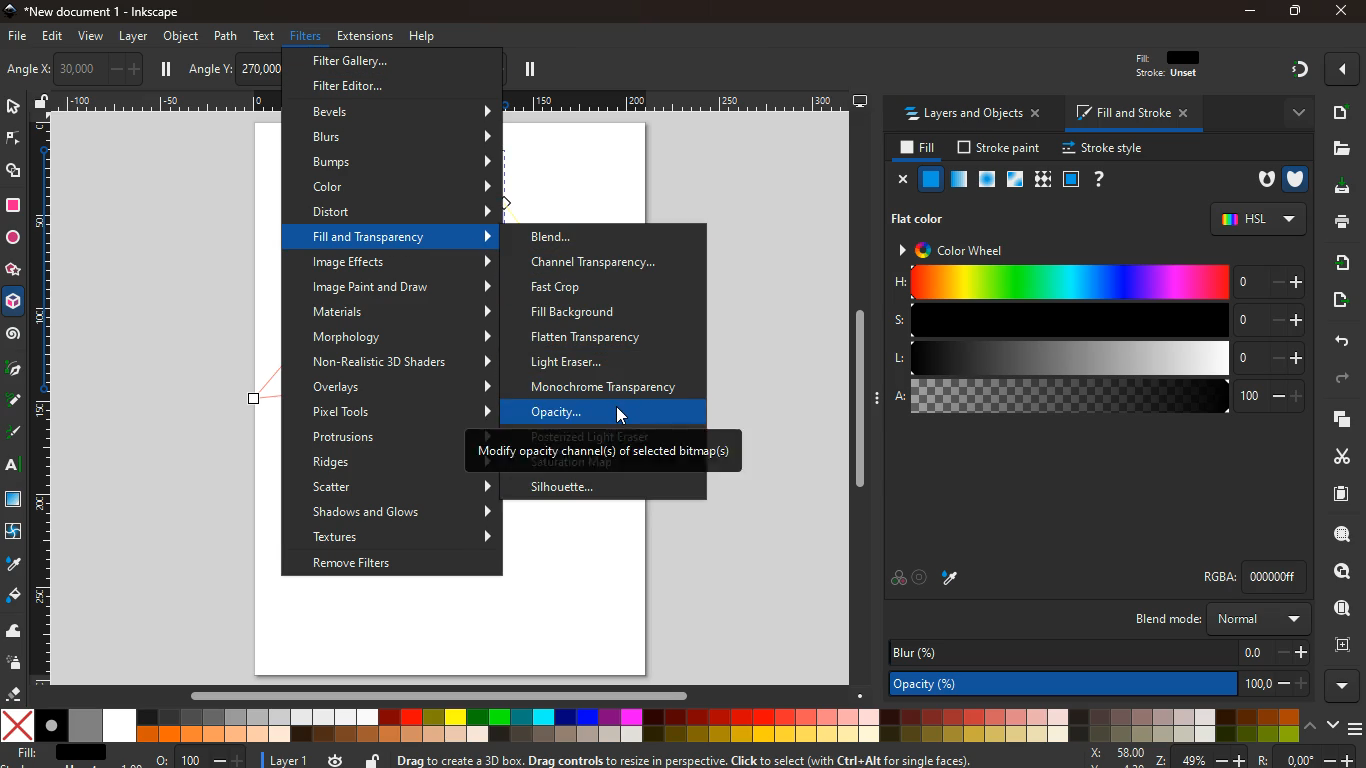 This screenshot has width=1366, height=768. What do you see at coordinates (60, 753) in the screenshot?
I see `fill` at bounding box center [60, 753].